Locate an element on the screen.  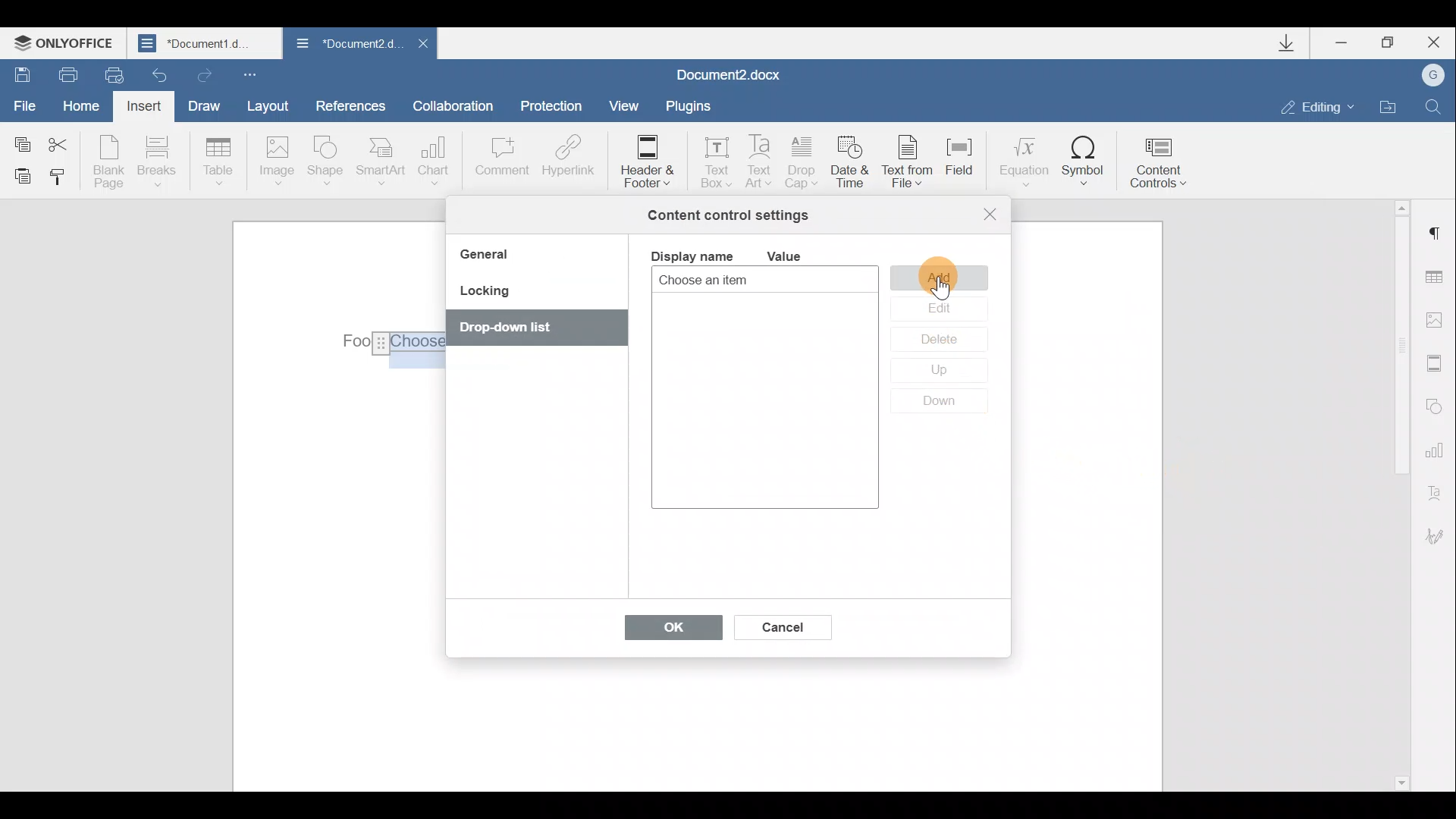
Text box is located at coordinates (711, 158).